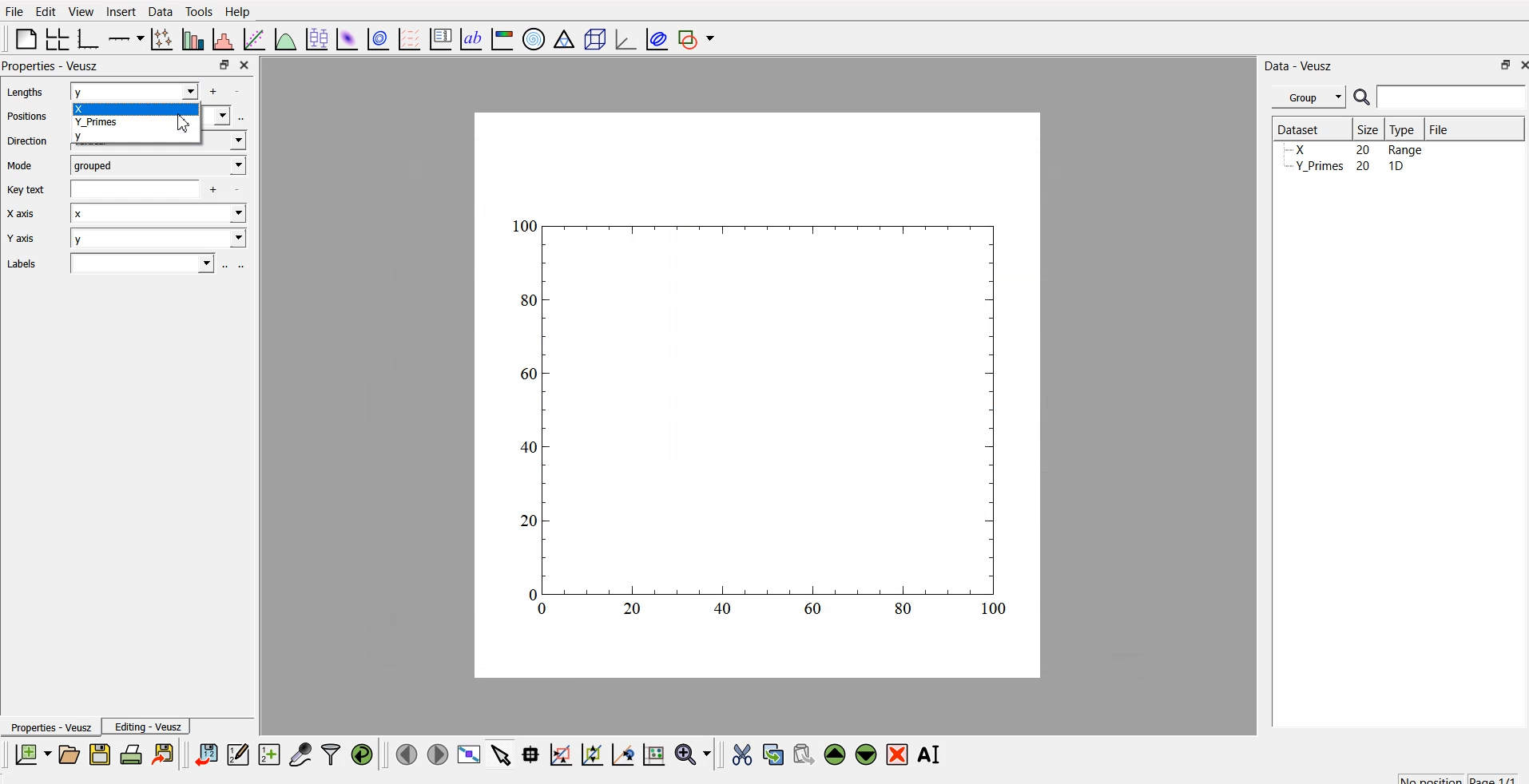  What do you see at coordinates (198, 10) in the screenshot?
I see `Tools` at bounding box center [198, 10].